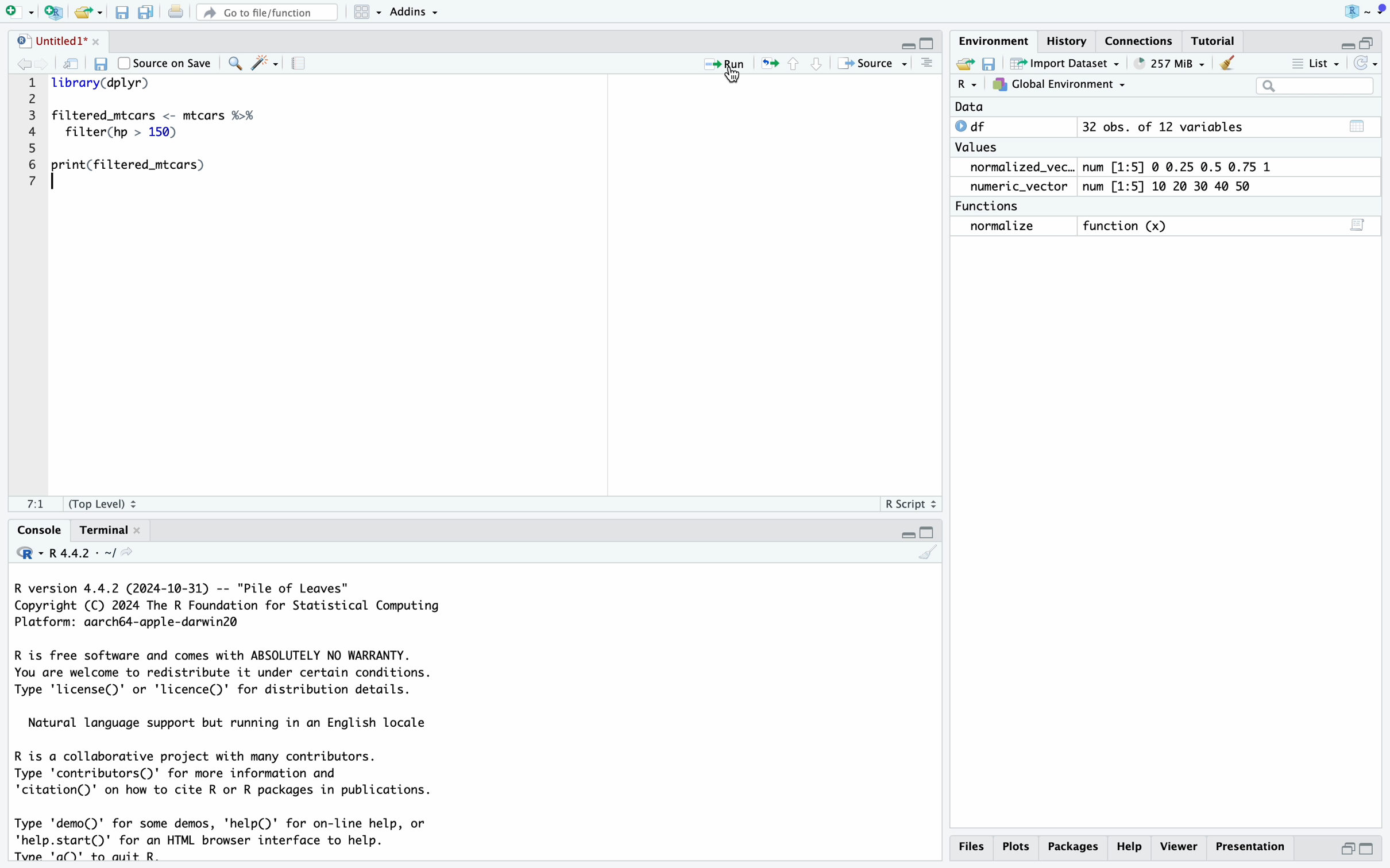 This screenshot has height=868, width=1390. What do you see at coordinates (1252, 847) in the screenshot?
I see `Presentation` at bounding box center [1252, 847].